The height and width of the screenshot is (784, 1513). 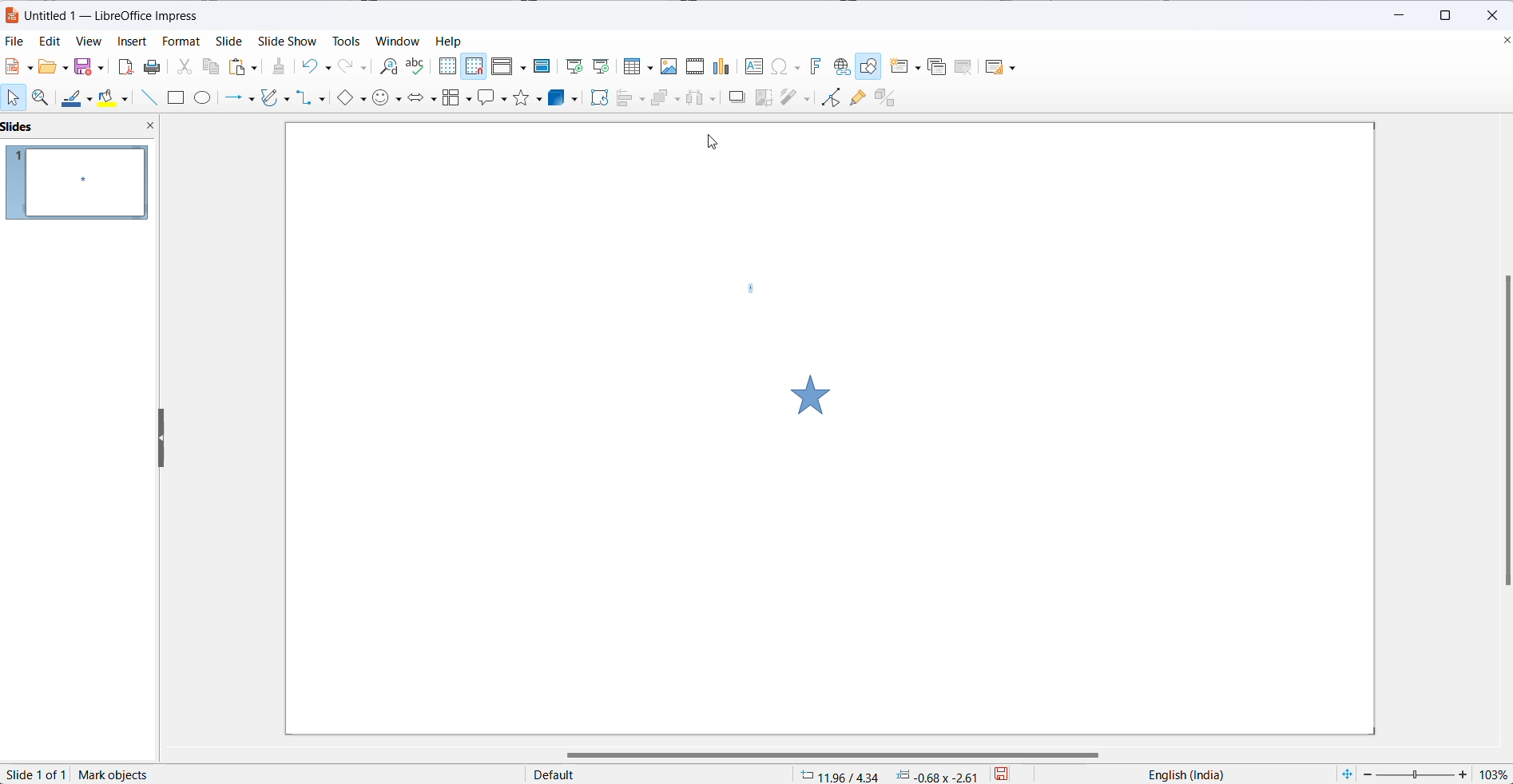 What do you see at coordinates (53, 66) in the screenshot?
I see `open` at bounding box center [53, 66].